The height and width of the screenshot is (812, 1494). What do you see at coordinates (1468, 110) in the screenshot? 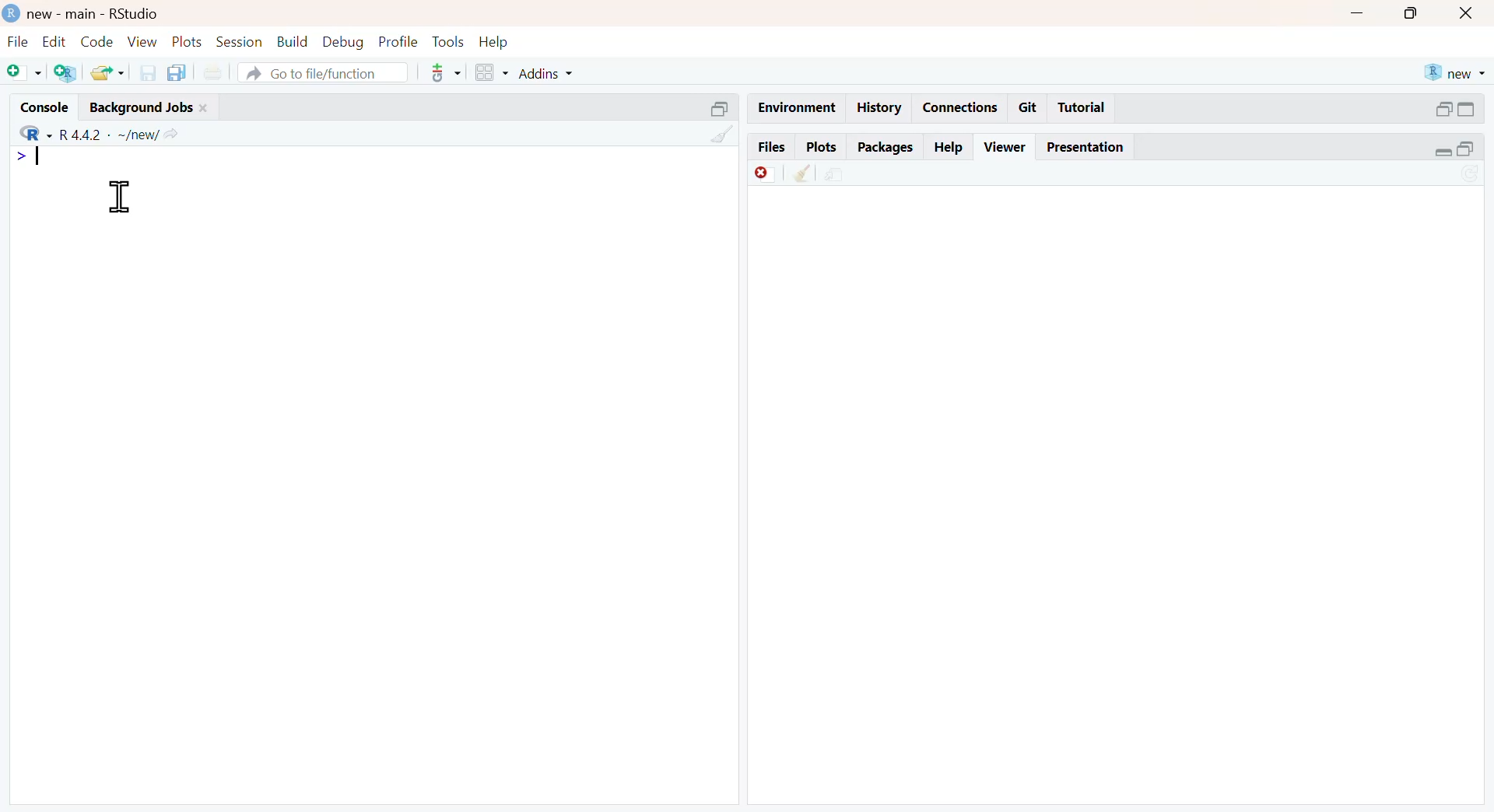
I see `expand/collapse` at bounding box center [1468, 110].